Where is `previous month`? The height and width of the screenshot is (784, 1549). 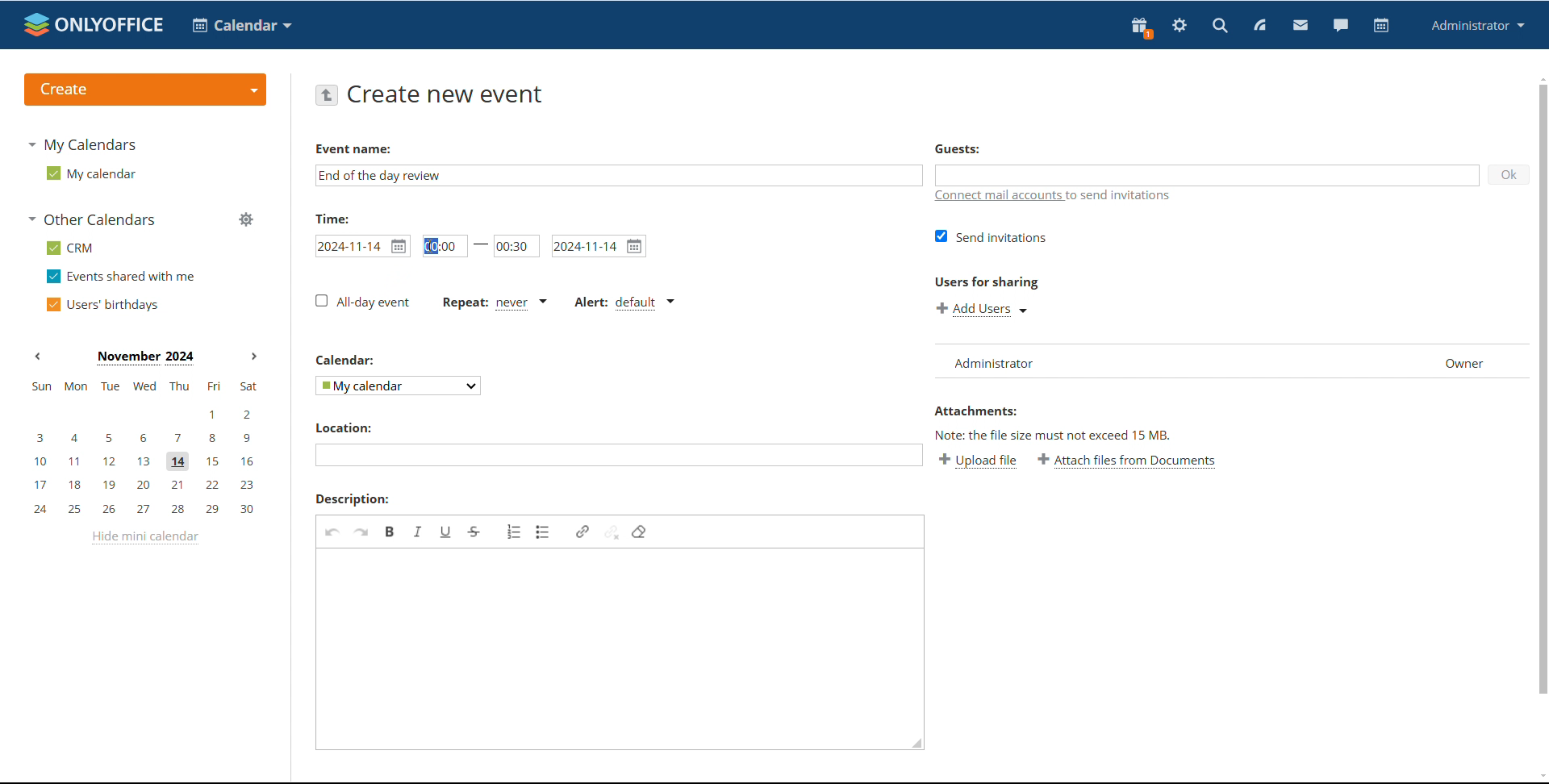 previous month is located at coordinates (37, 355).